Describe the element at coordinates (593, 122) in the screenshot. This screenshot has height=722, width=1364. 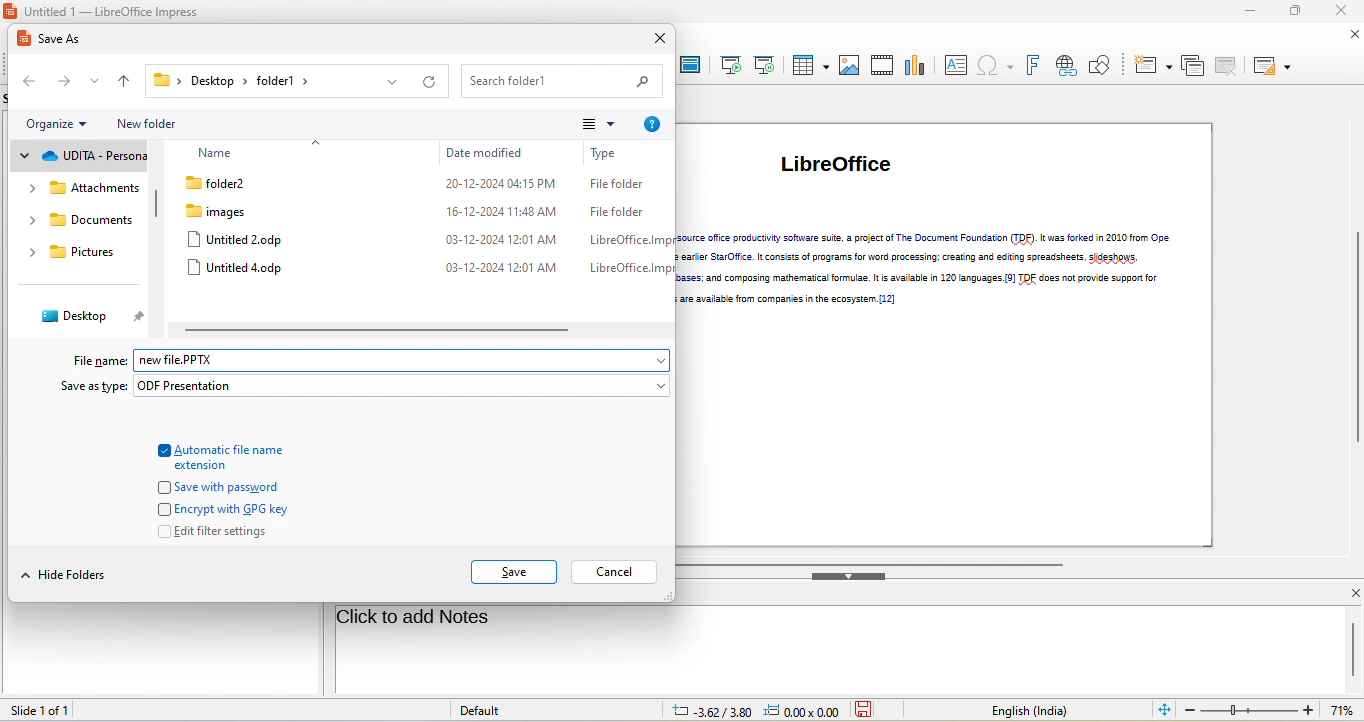
I see `change your view` at that location.